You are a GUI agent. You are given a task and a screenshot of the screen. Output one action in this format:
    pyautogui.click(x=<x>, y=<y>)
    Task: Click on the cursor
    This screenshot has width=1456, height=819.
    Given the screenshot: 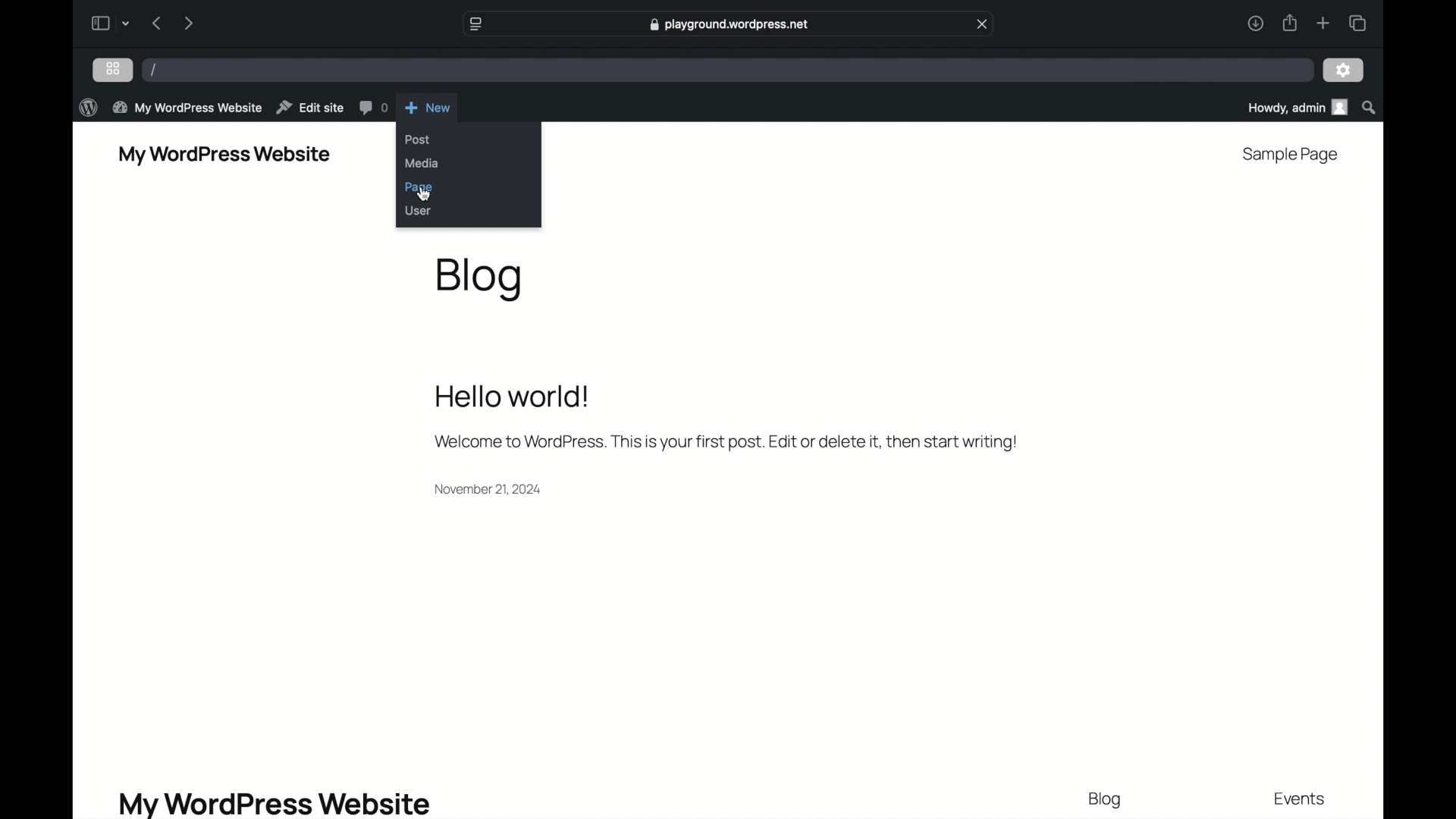 What is the action you would take?
    pyautogui.click(x=422, y=195)
    